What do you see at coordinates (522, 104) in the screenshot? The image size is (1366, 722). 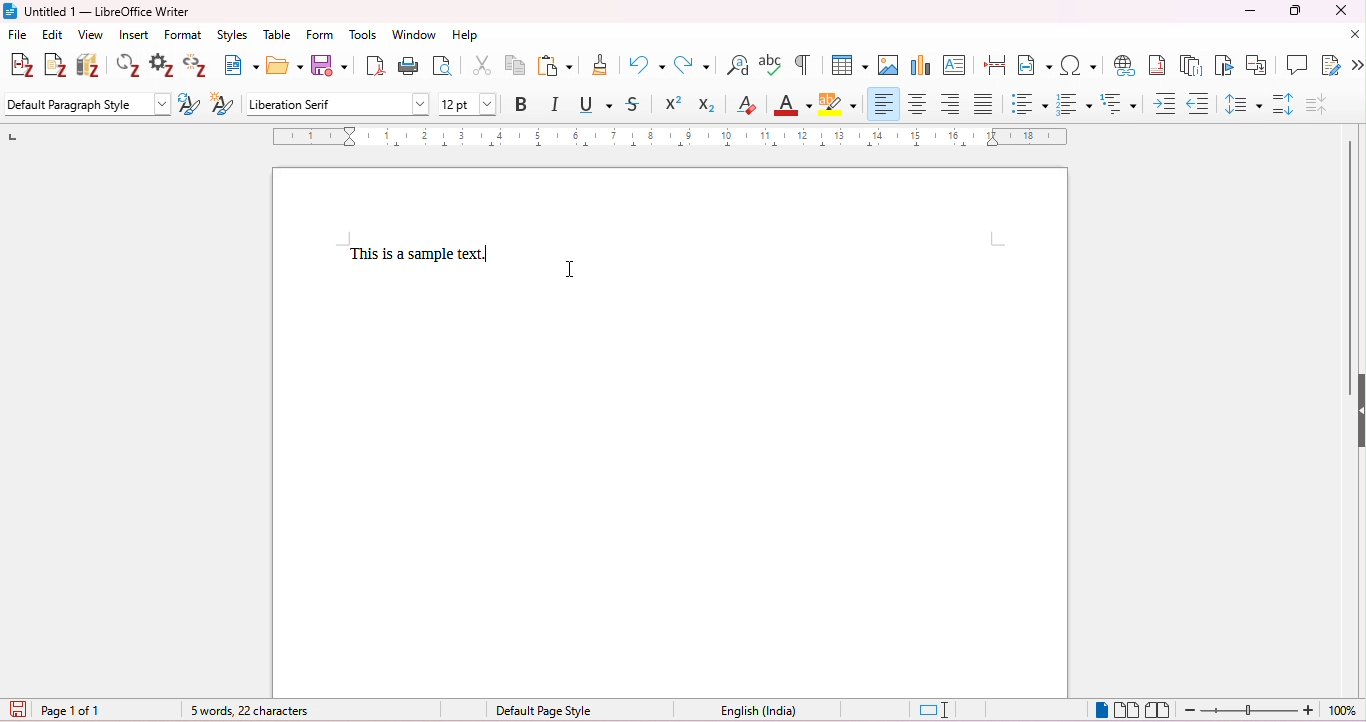 I see `bold` at bounding box center [522, 104].